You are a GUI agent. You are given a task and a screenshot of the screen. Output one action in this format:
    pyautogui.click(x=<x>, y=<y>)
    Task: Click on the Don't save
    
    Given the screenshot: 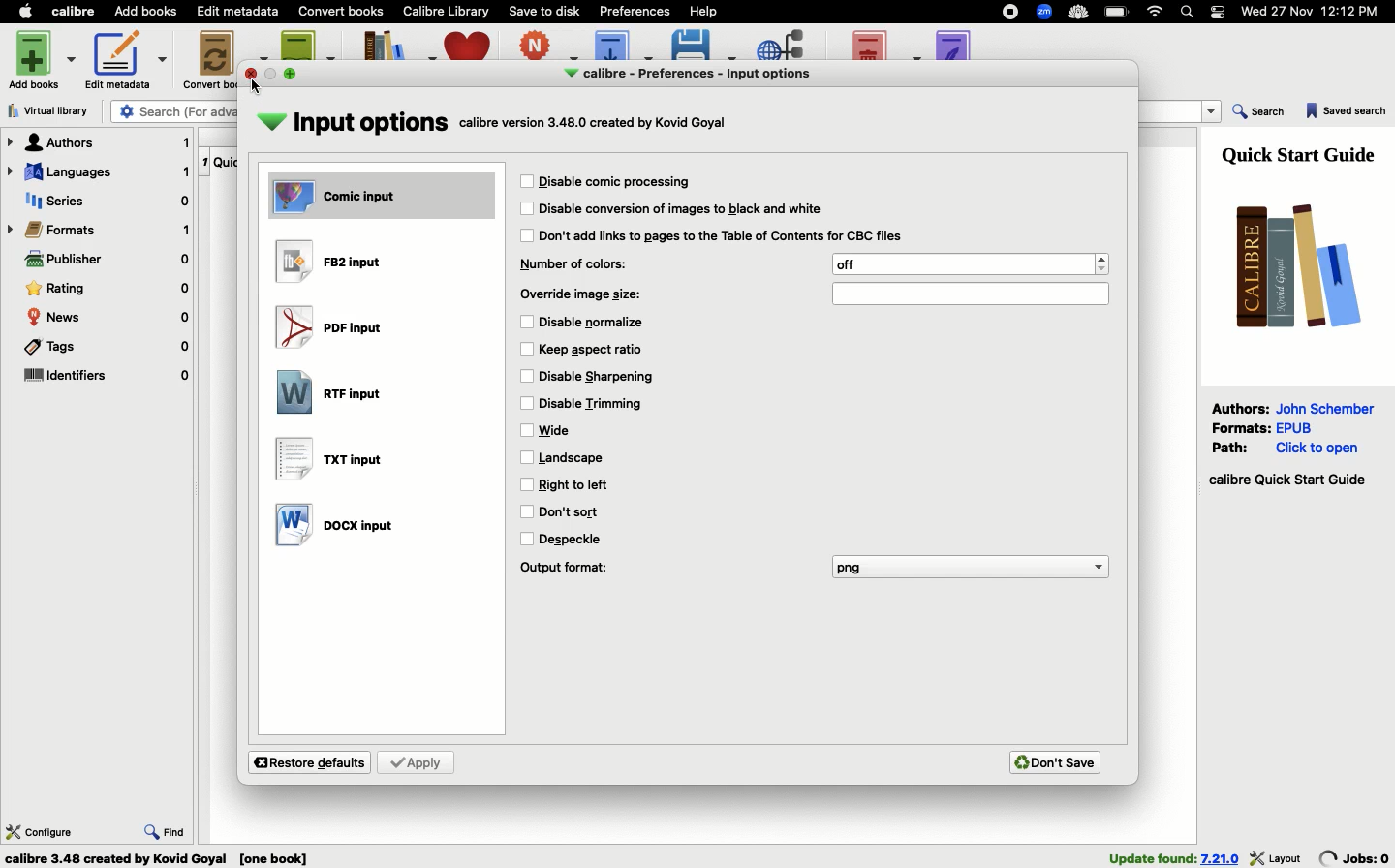 What is the action you would take?
    pyautogui.click(x=1059, y=760)
    